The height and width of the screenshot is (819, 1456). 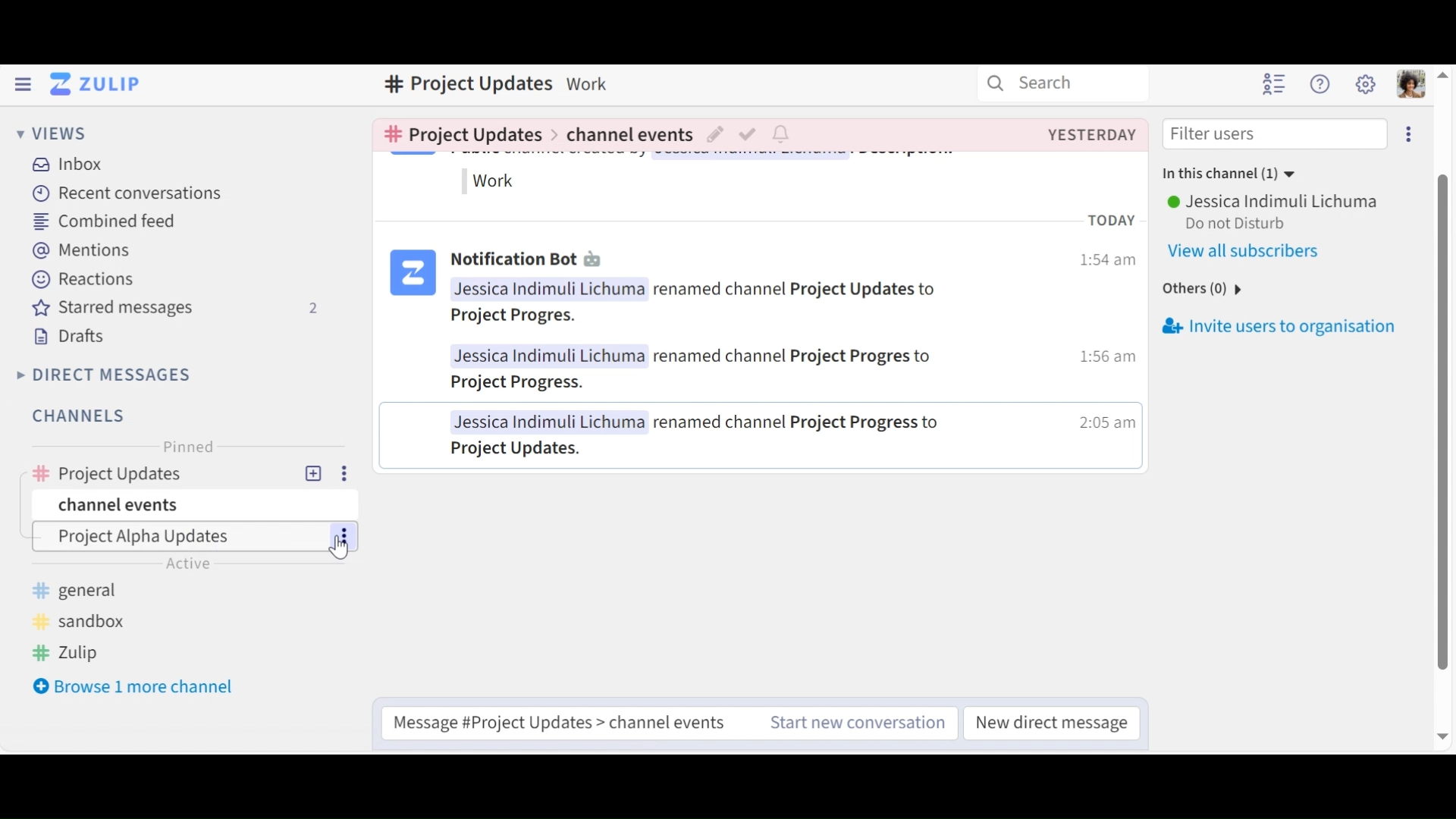 What do you see at coordinates (588, 82) in the screenshot?
I see `Description` at bounding box center [588, 82].